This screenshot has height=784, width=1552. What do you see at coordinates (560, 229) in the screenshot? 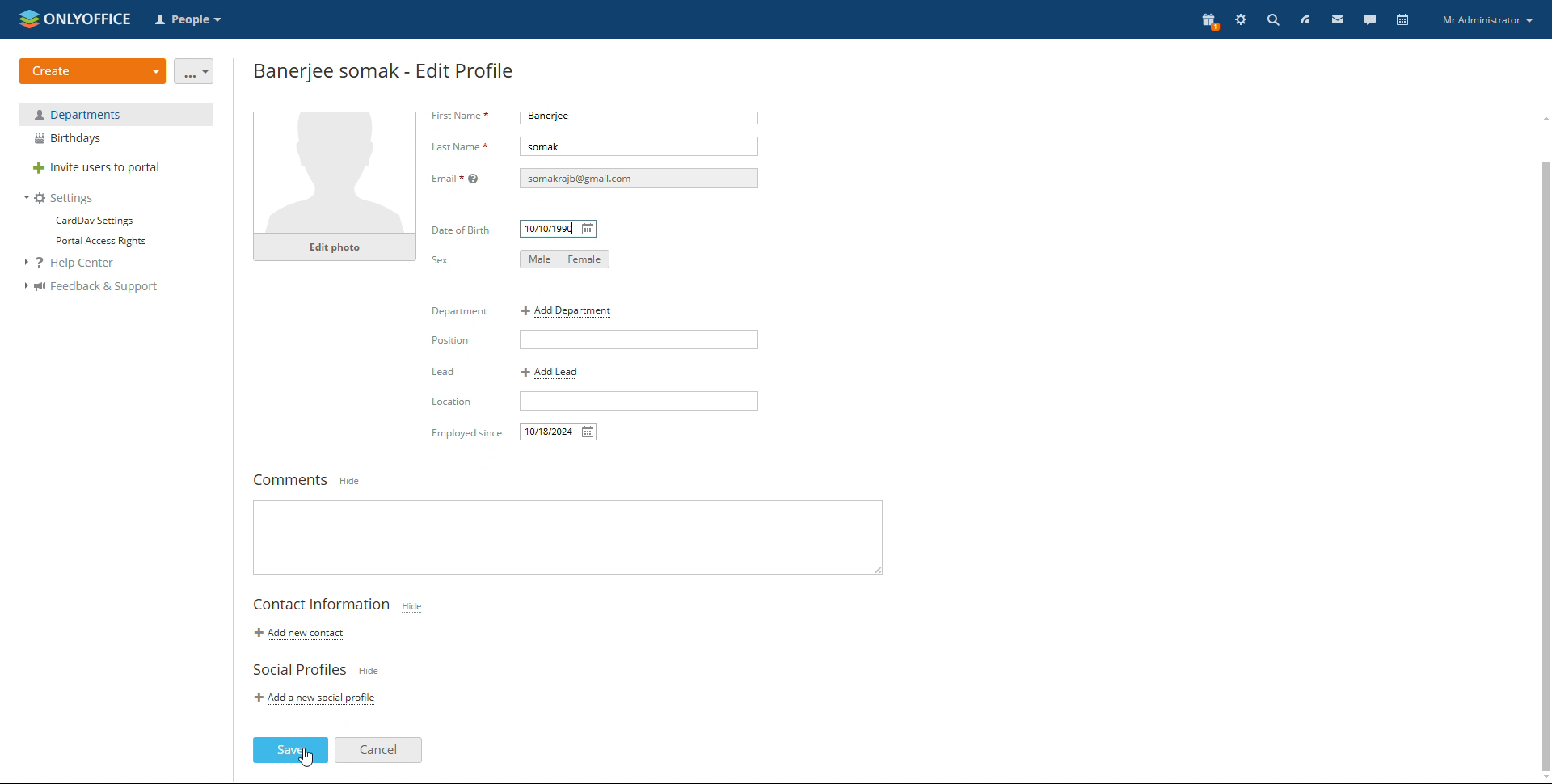
I see `date of birth` at bounding box center [560, 229].